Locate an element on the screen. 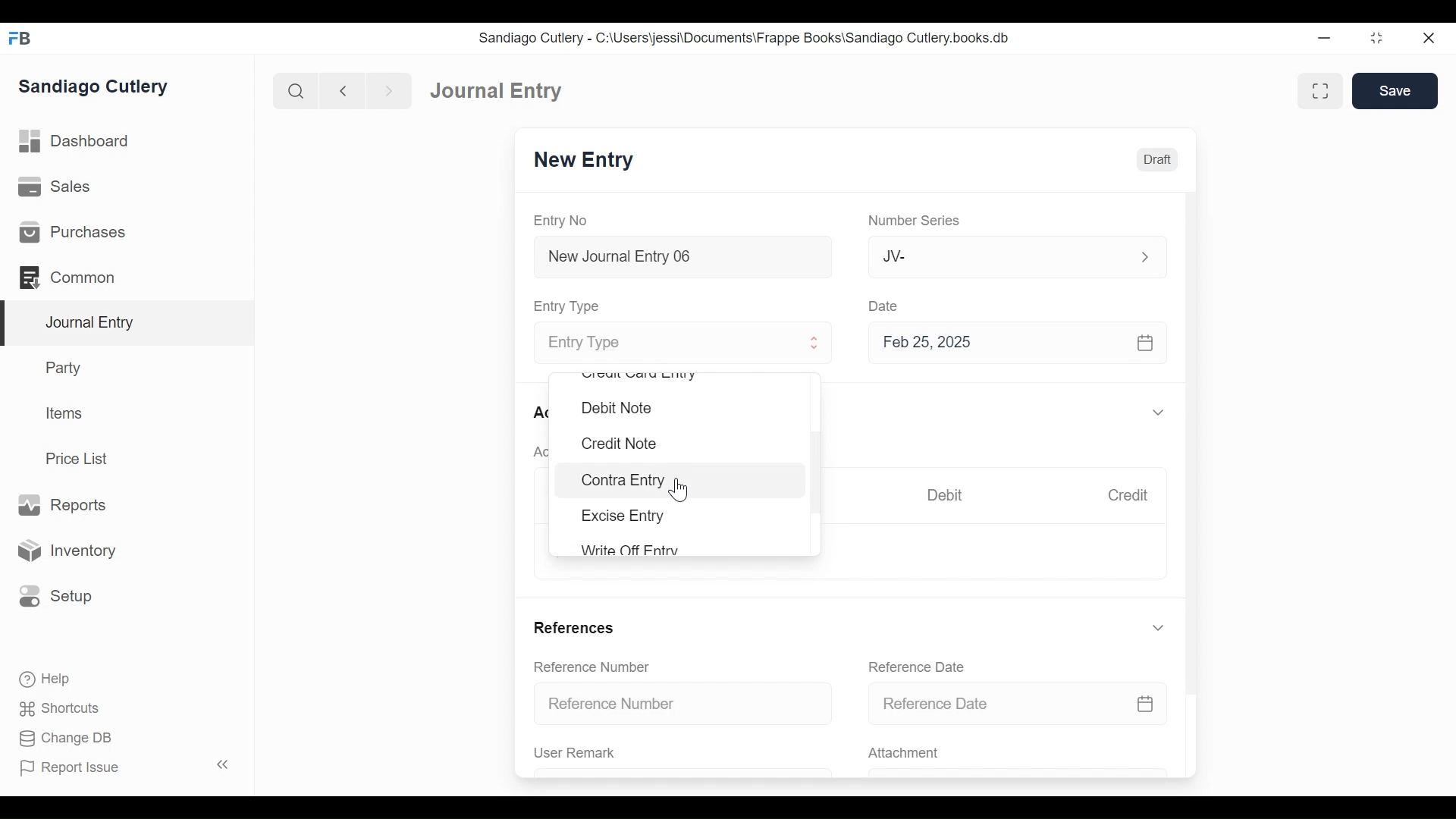 This screenshot has width=1456, height=819. Help is located at coordinates (43, 678).